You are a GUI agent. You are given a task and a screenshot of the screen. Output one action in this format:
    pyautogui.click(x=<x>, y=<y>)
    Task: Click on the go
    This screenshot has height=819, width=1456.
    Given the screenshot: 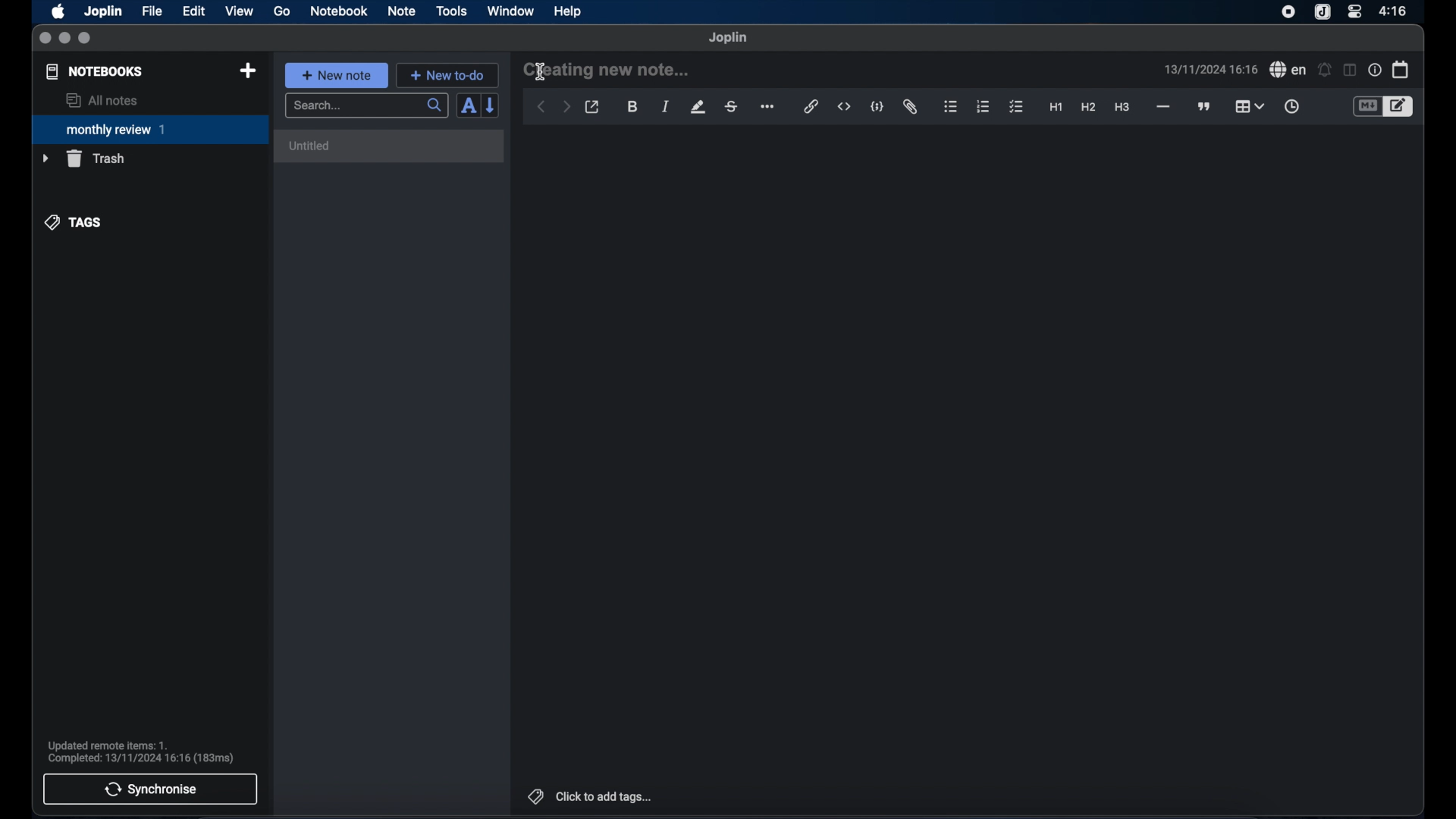 What is the action you would take?
    pyautogui.click(x=282, y=11)
    